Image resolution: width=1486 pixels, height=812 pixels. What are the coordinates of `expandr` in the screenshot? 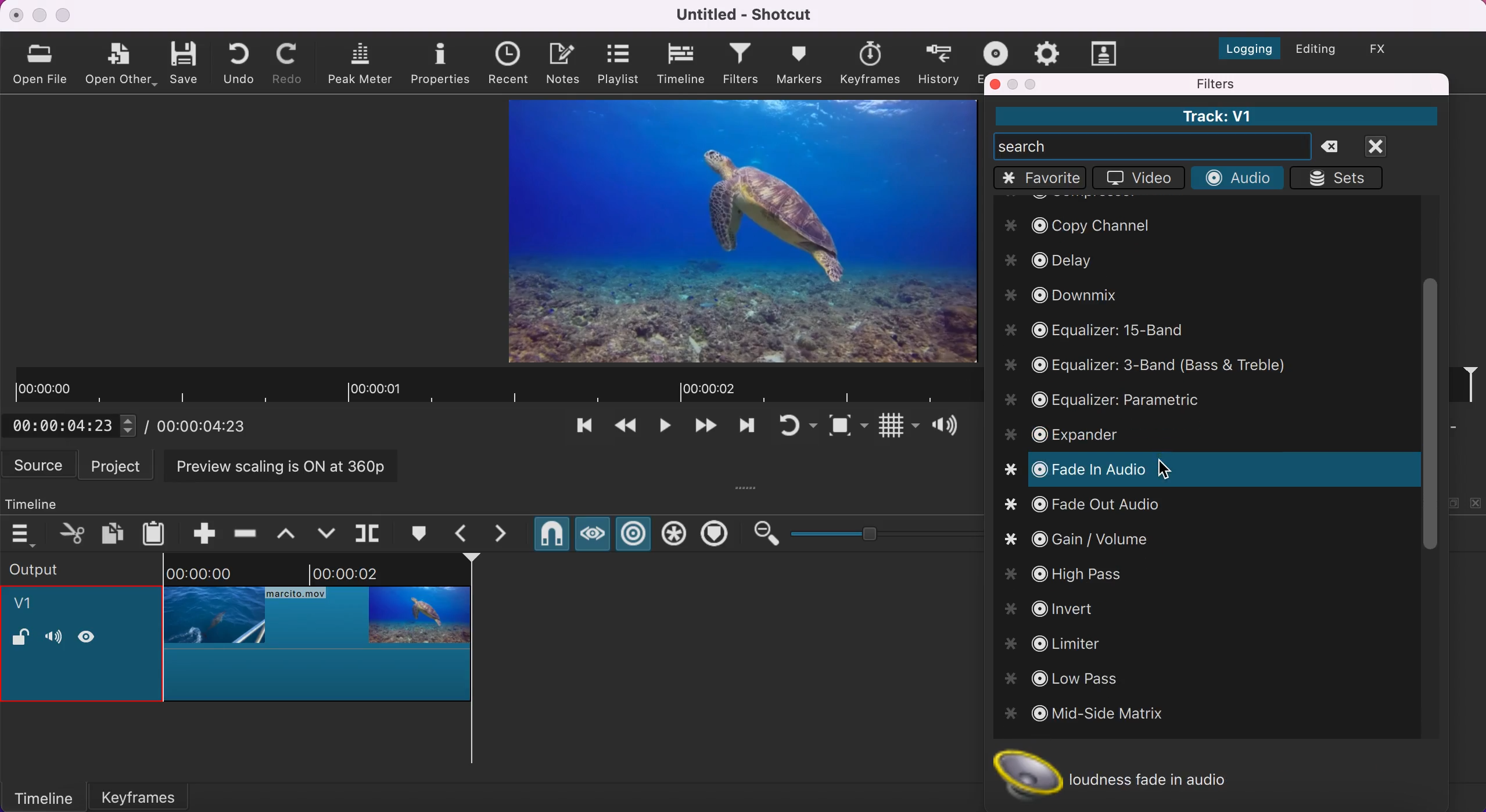 It's located at (1067, 434).